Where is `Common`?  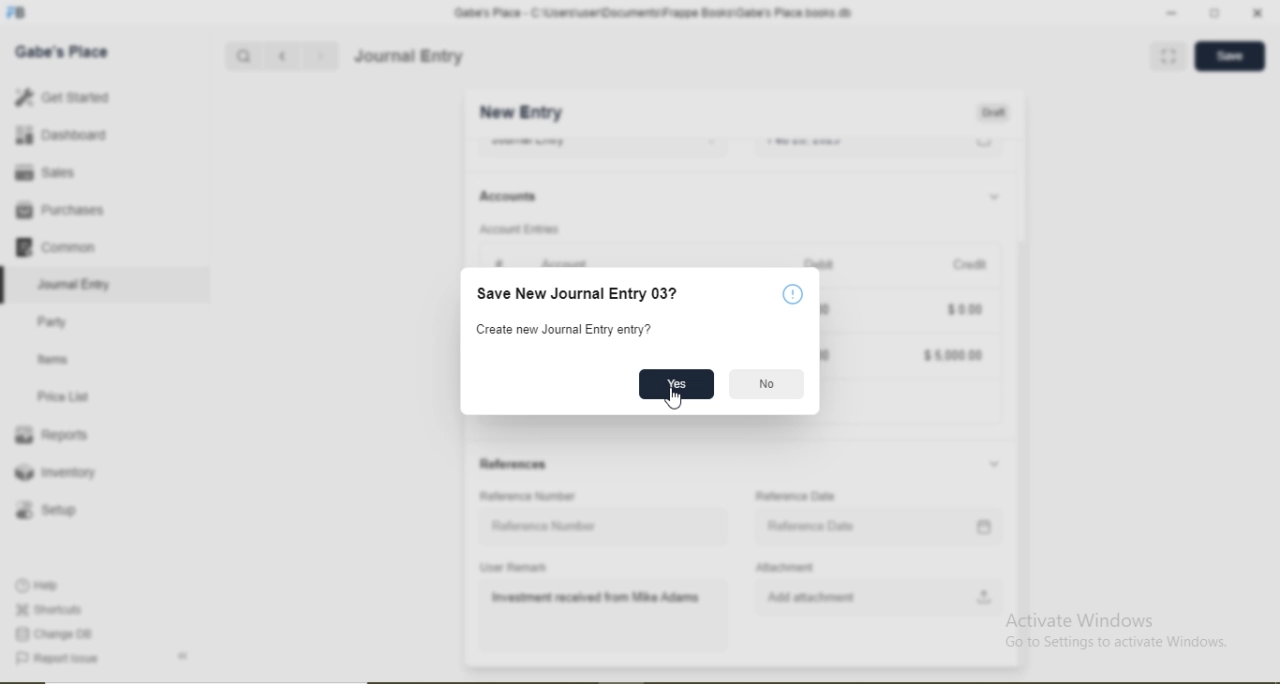 Common is located at coordinates (54, 246).